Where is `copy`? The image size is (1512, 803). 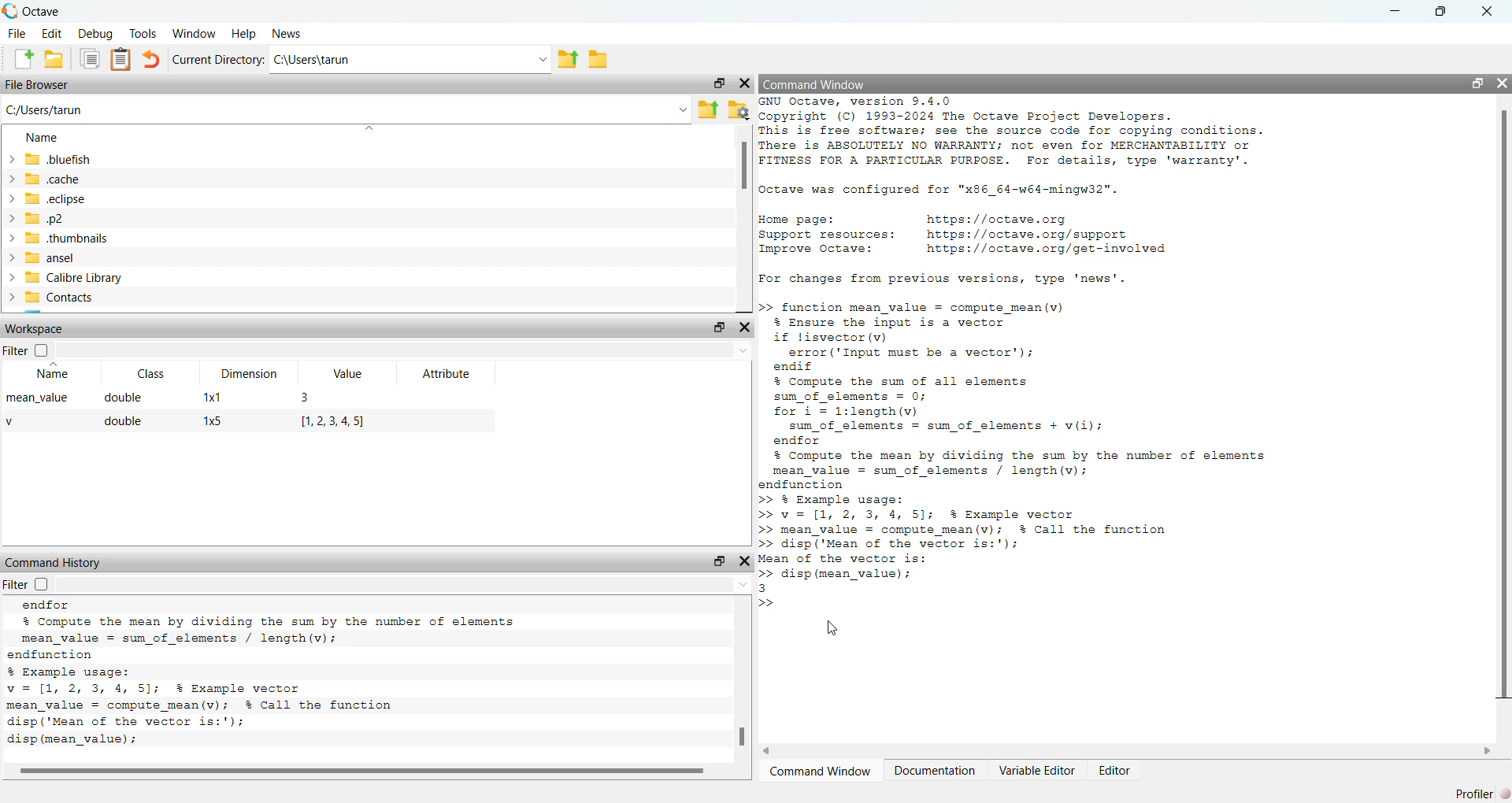
copy is located at coordinates (90, 58).